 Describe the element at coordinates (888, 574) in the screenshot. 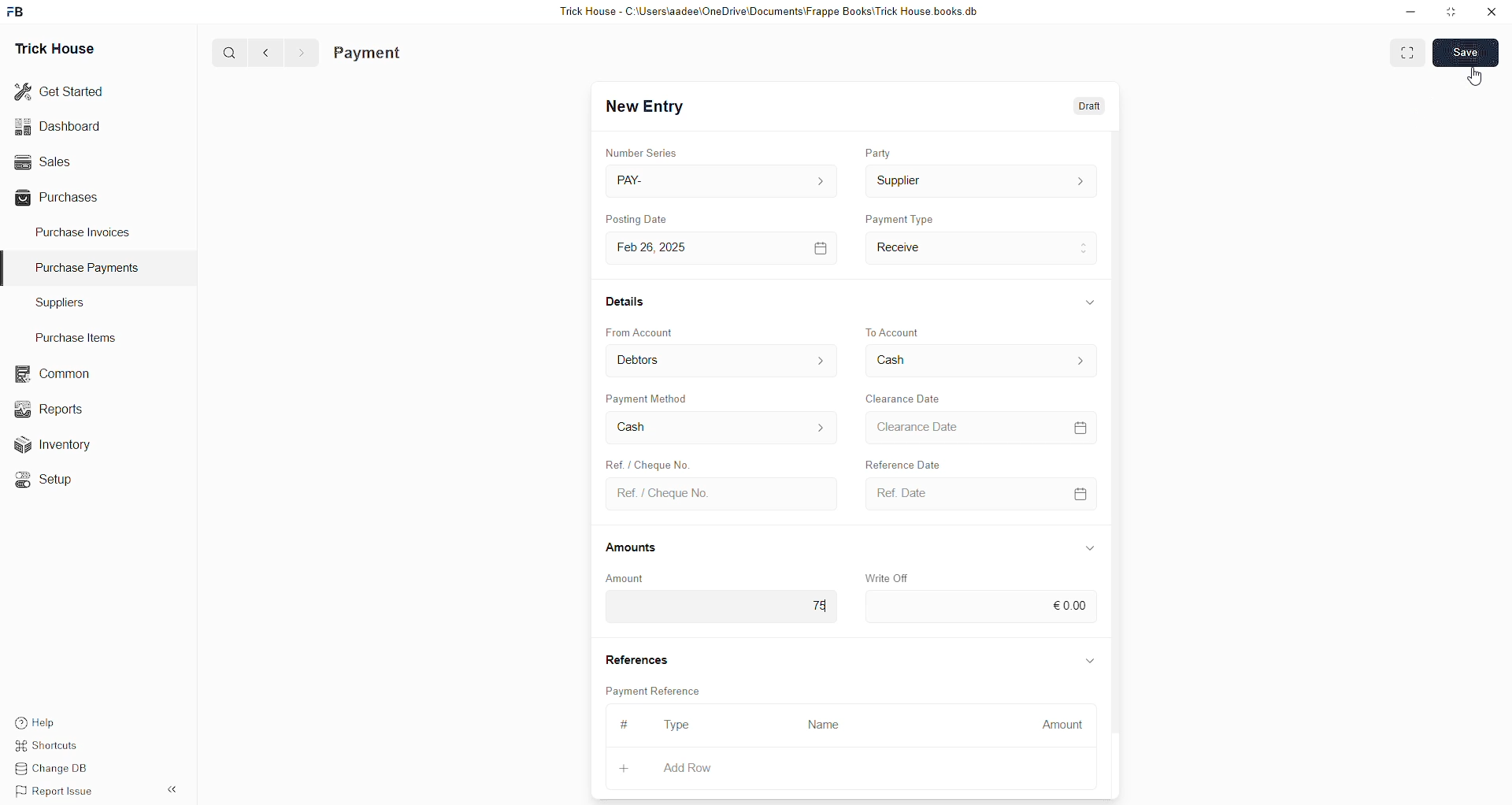

I see `Write Off` at that location.